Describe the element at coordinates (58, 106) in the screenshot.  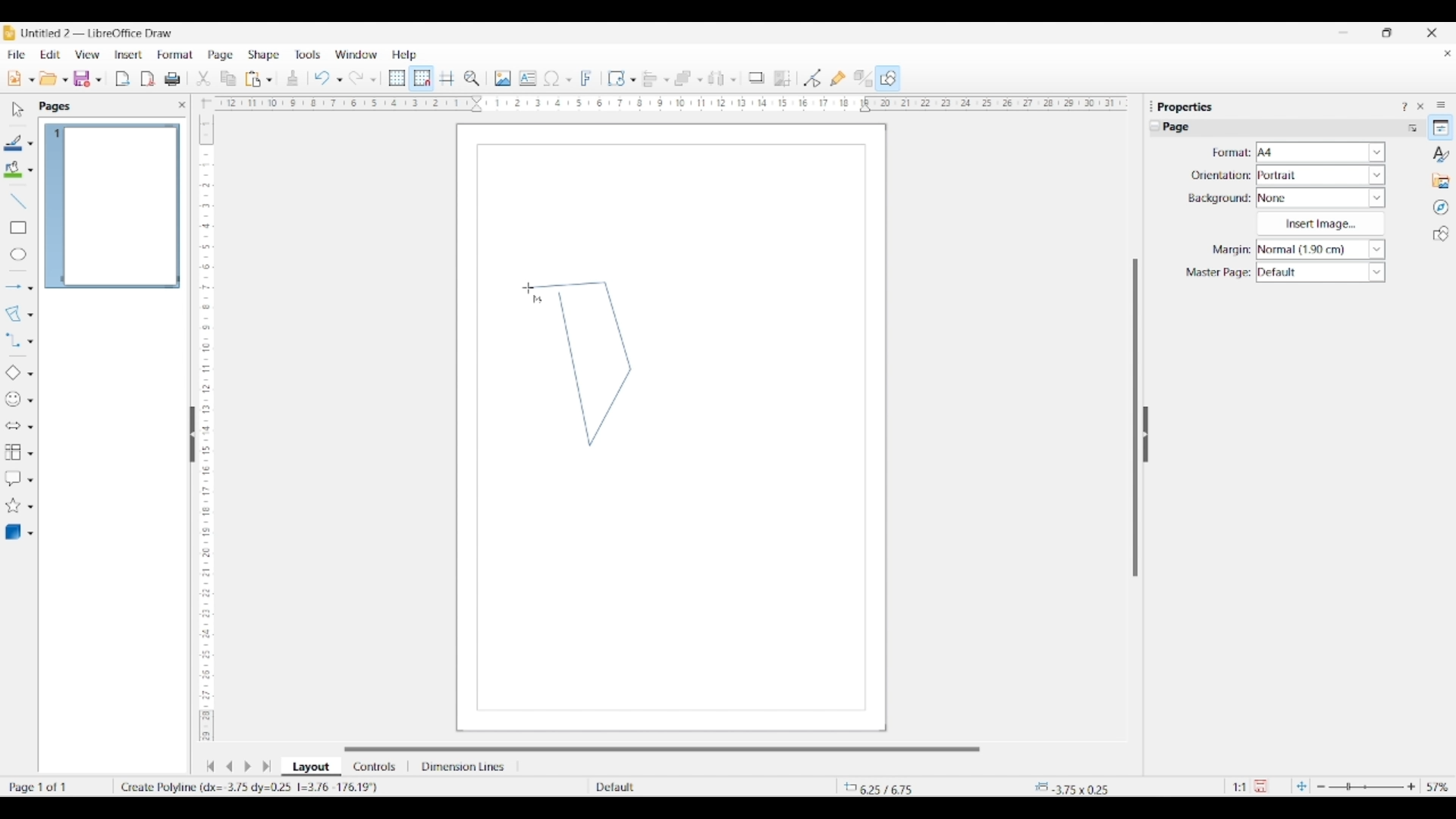
I see `Section title - Pages` at that location.